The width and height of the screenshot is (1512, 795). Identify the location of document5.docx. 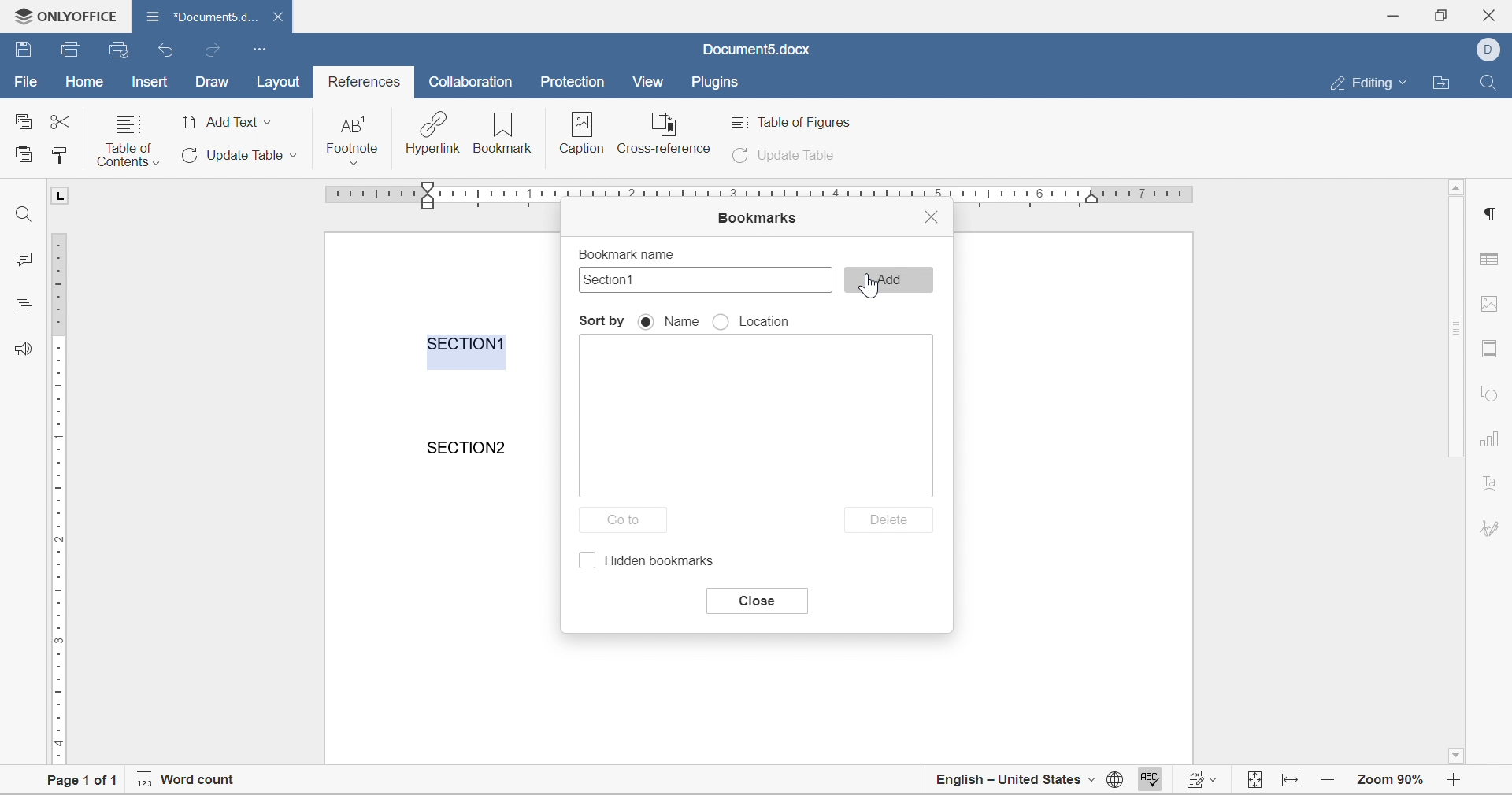
(755, 50).